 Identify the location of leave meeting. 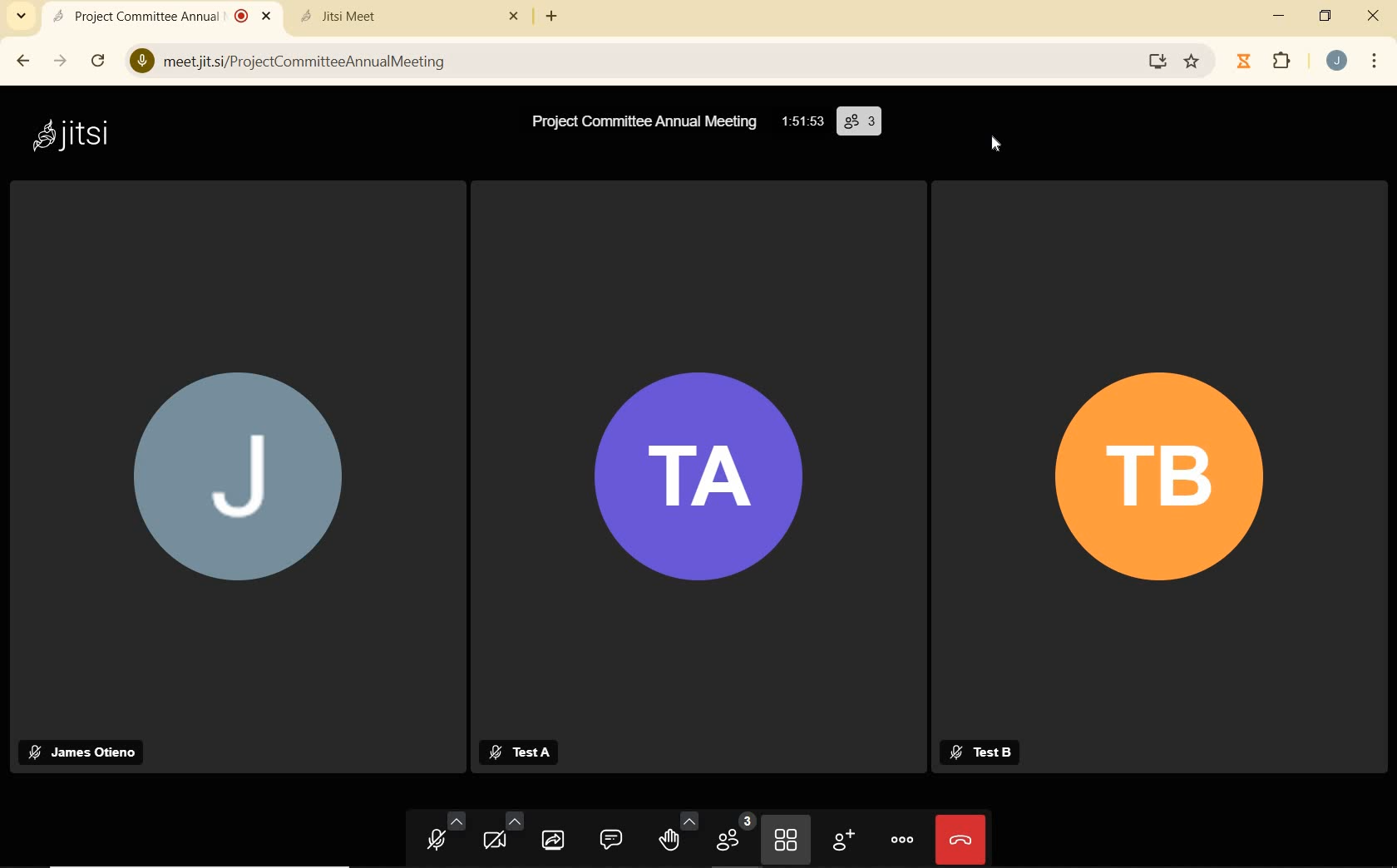
(961, 840).